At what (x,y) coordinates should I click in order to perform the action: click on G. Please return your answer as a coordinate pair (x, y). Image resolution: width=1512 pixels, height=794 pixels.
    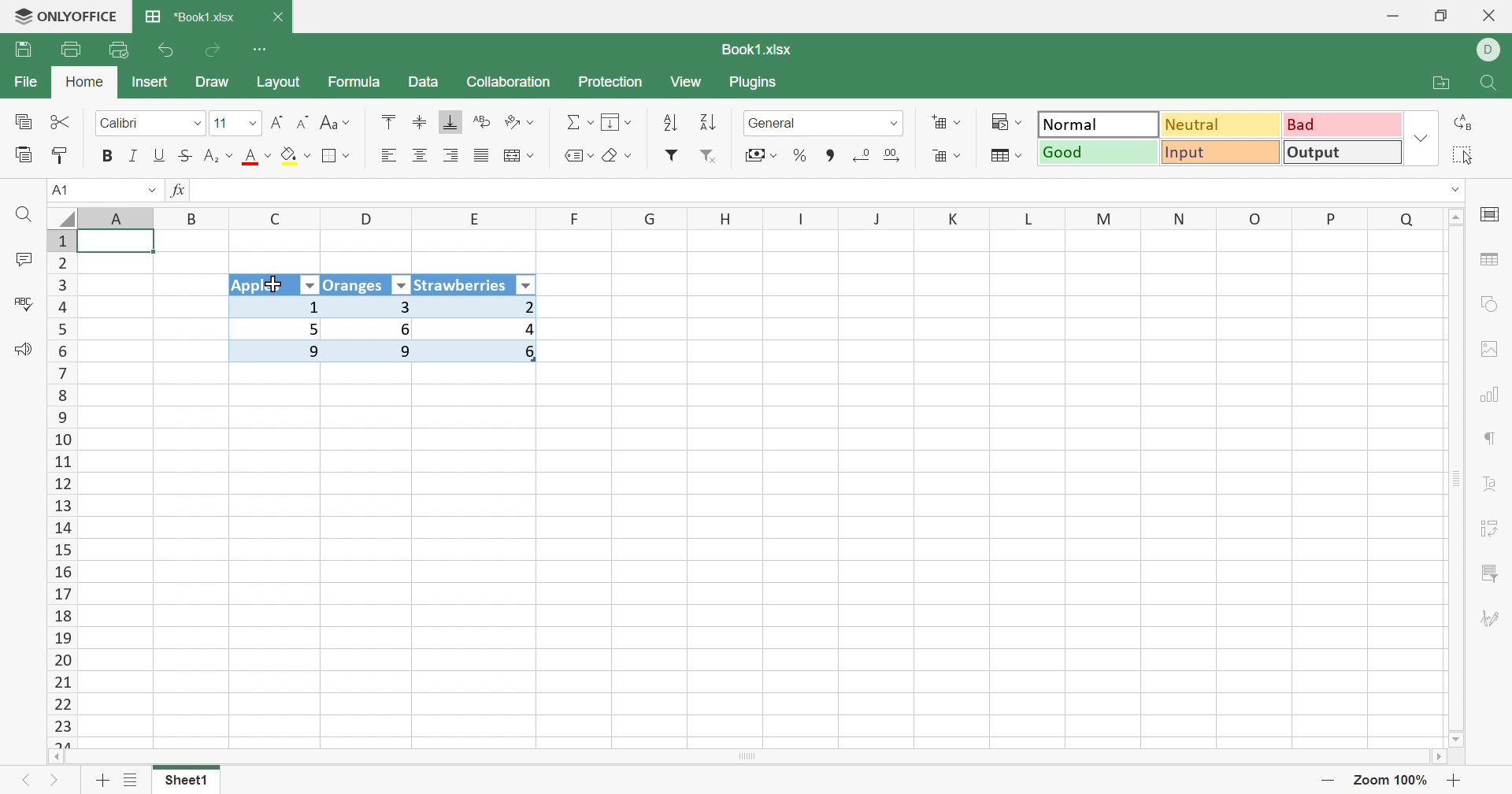
    Looking at the image, I should click on (651, 218).